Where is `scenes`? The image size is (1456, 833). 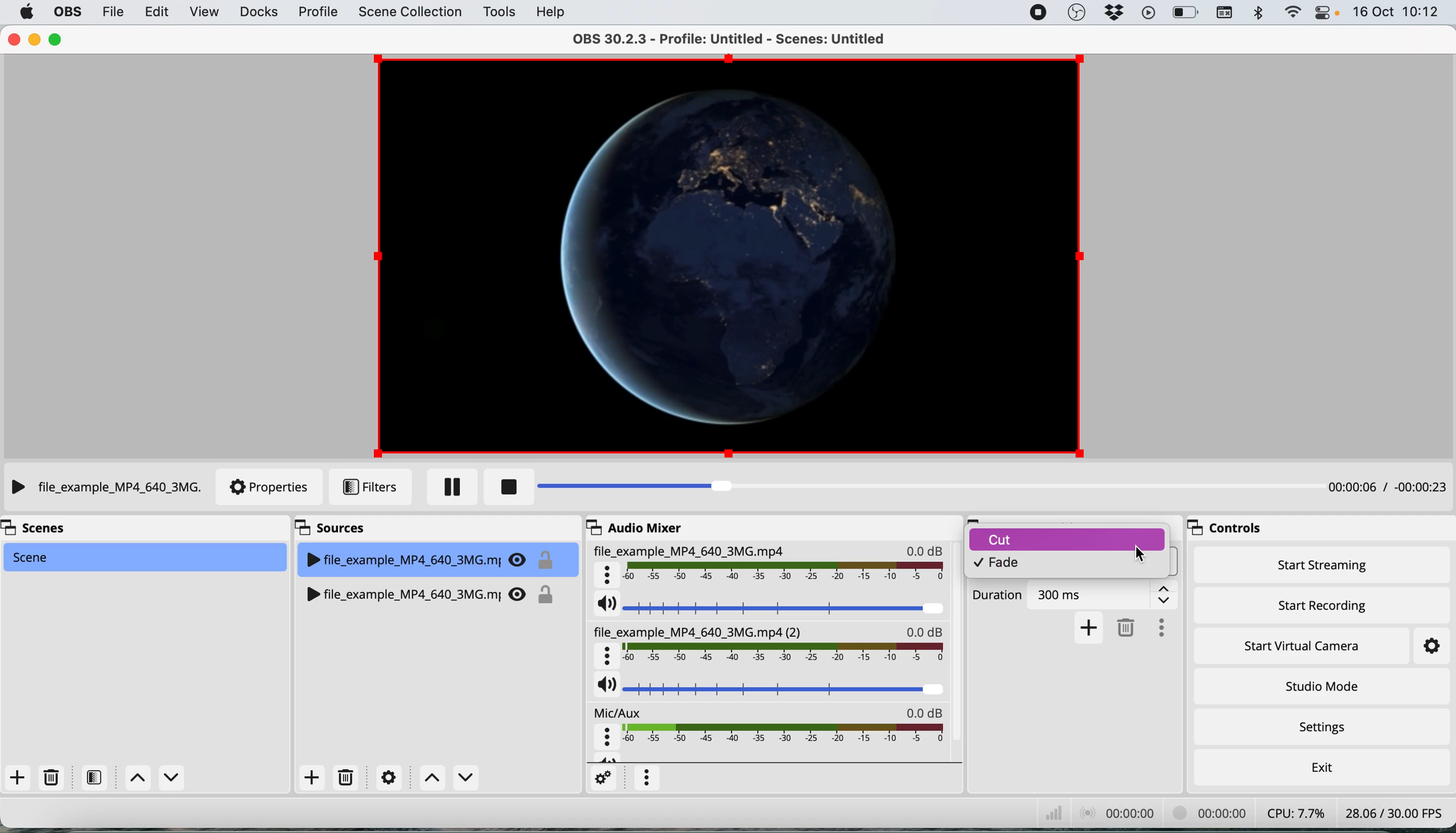
scenes is located at coordinates (39, 530).